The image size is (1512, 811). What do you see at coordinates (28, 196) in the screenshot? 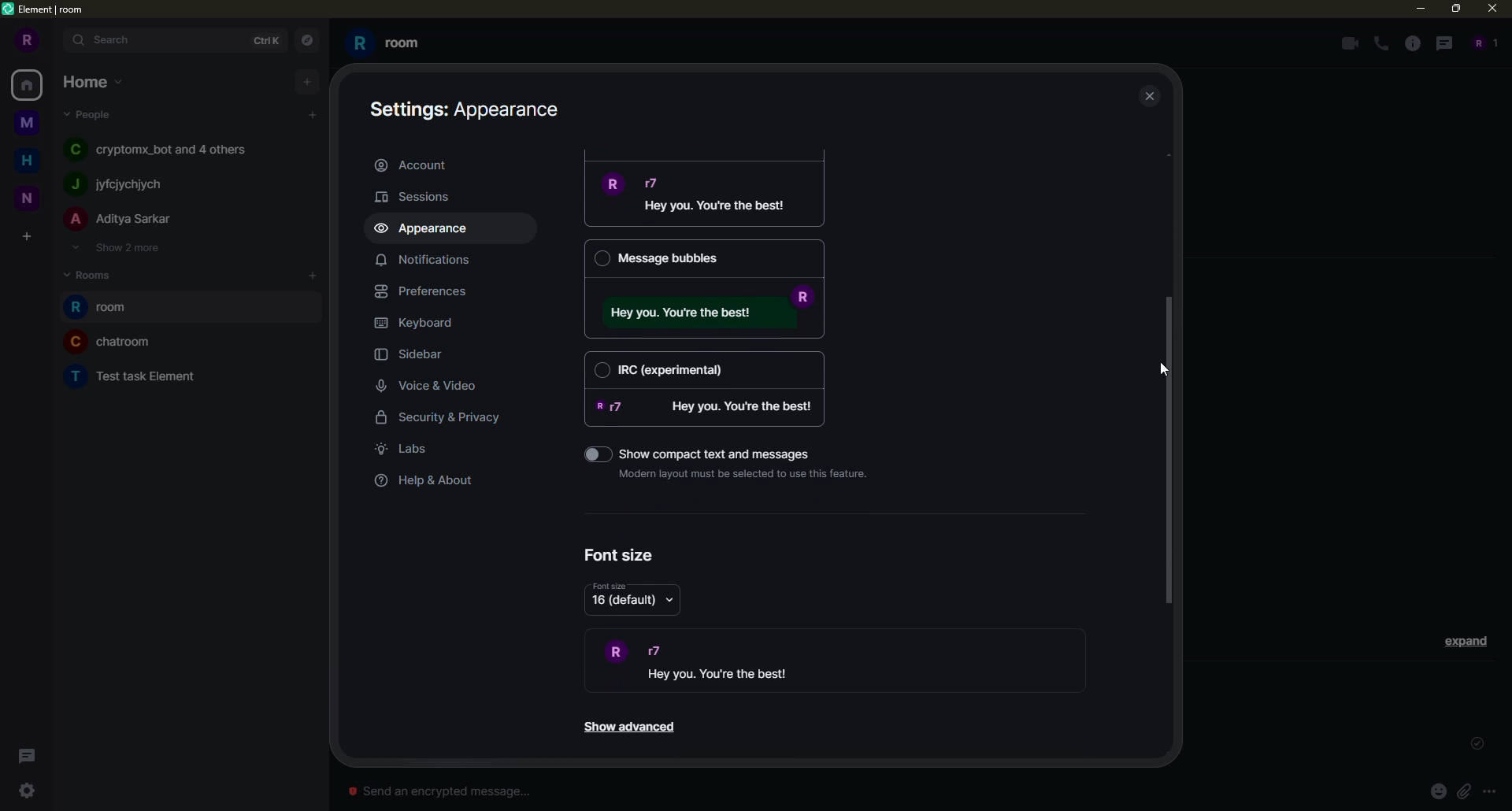
I see `space` at bounding box center [28, 196].